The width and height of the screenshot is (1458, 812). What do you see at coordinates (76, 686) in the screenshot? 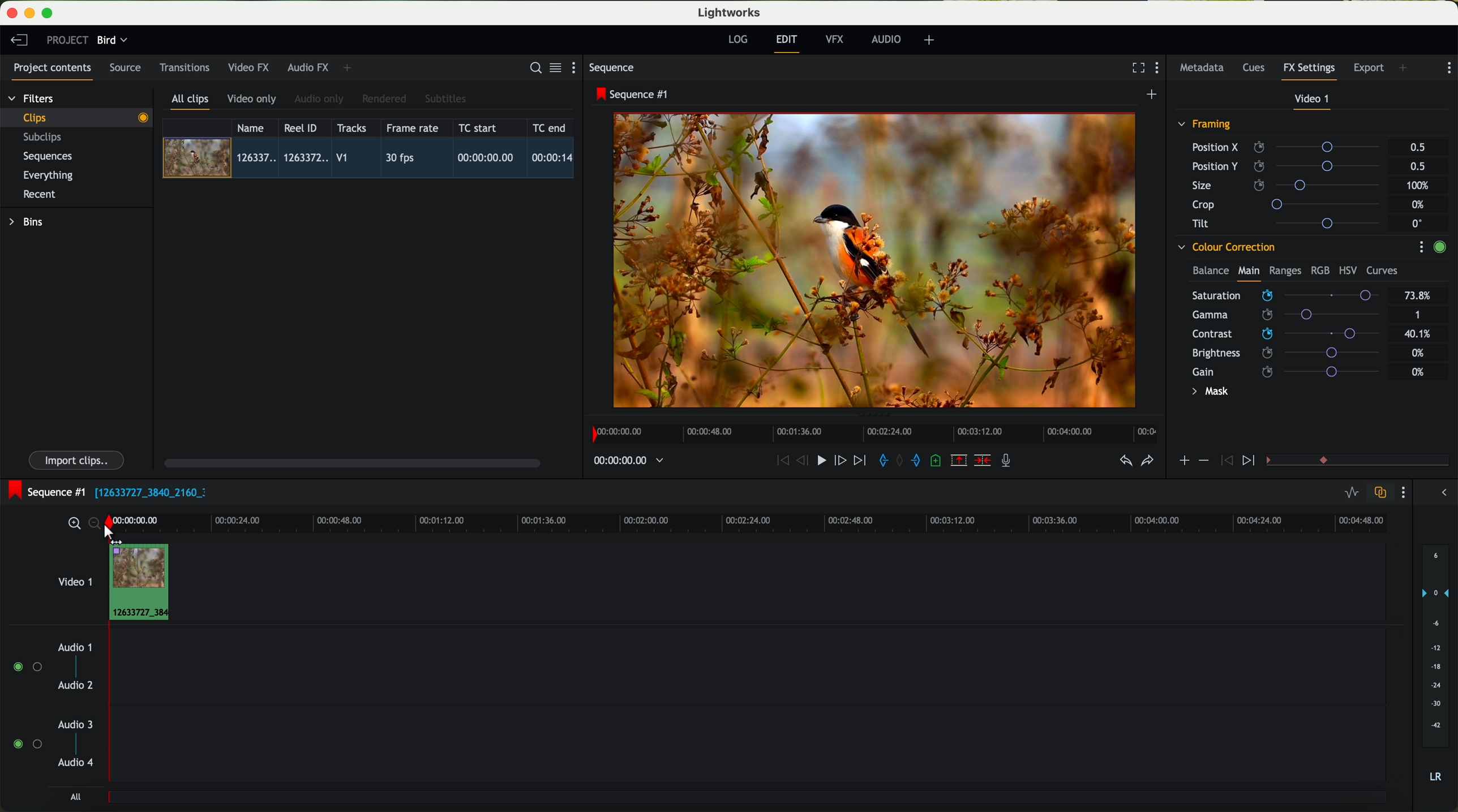
I see `audio 2` at bounding box center [76, 686].